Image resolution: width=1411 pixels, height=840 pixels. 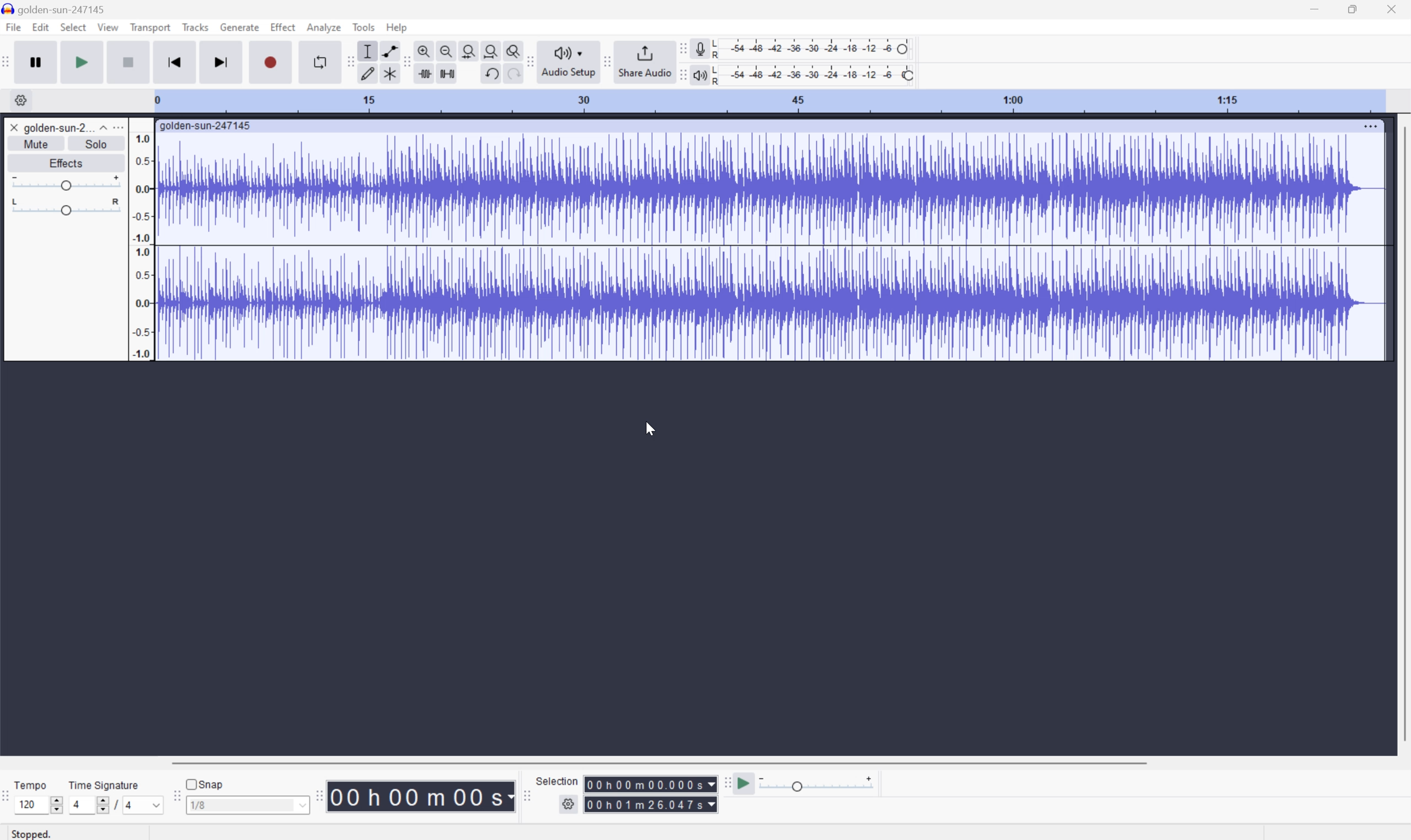 I want to click on Cursor, so click(x=652, y=427).